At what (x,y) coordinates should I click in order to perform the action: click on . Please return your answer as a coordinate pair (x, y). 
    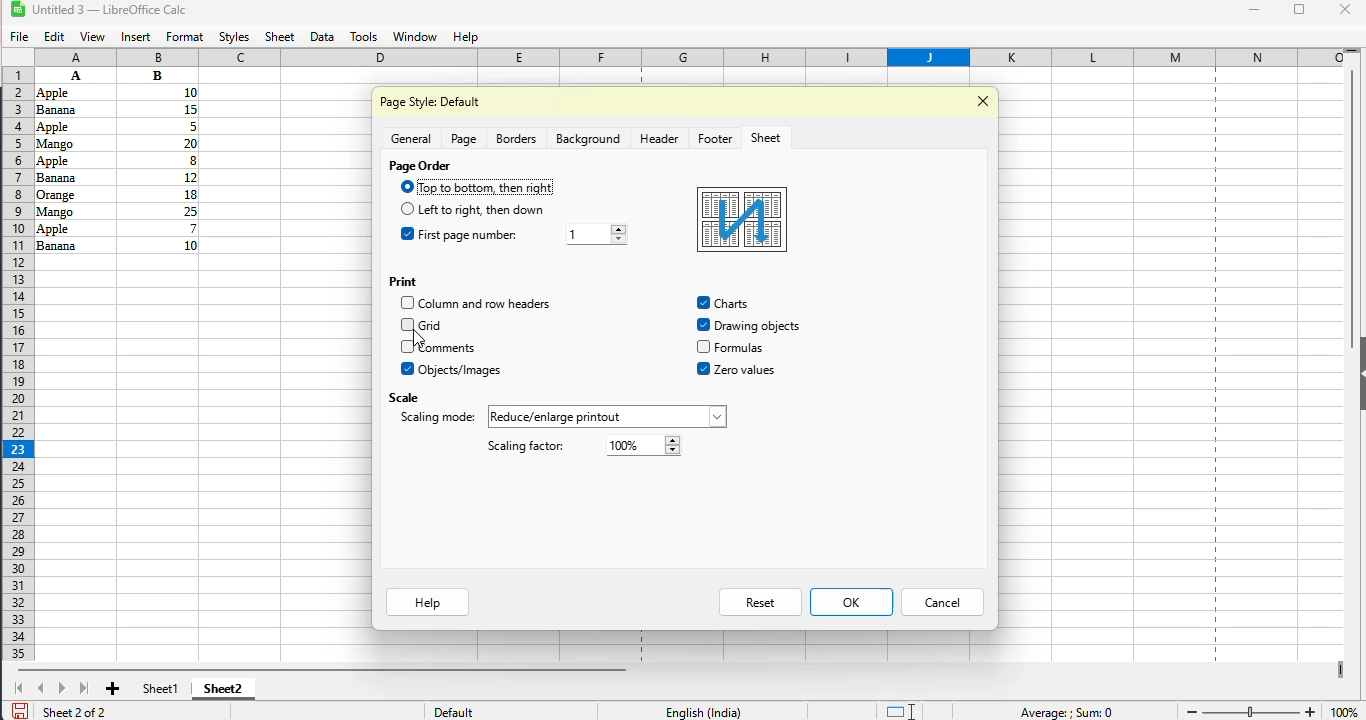
    Looking at the image, I should click on (158, 159).